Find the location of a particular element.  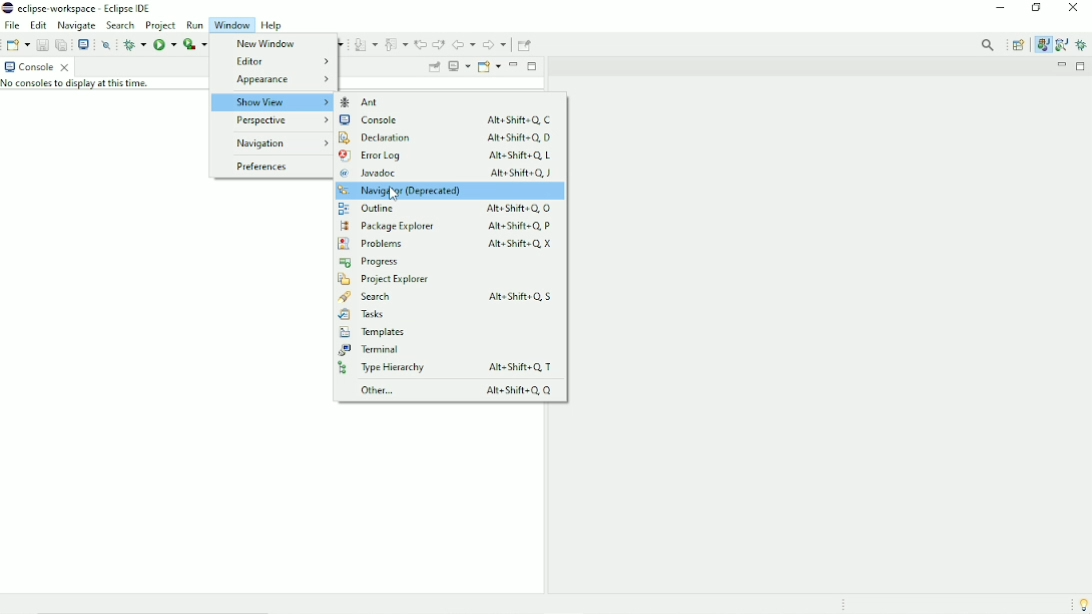

New Window is located at coordinates (263, 44).